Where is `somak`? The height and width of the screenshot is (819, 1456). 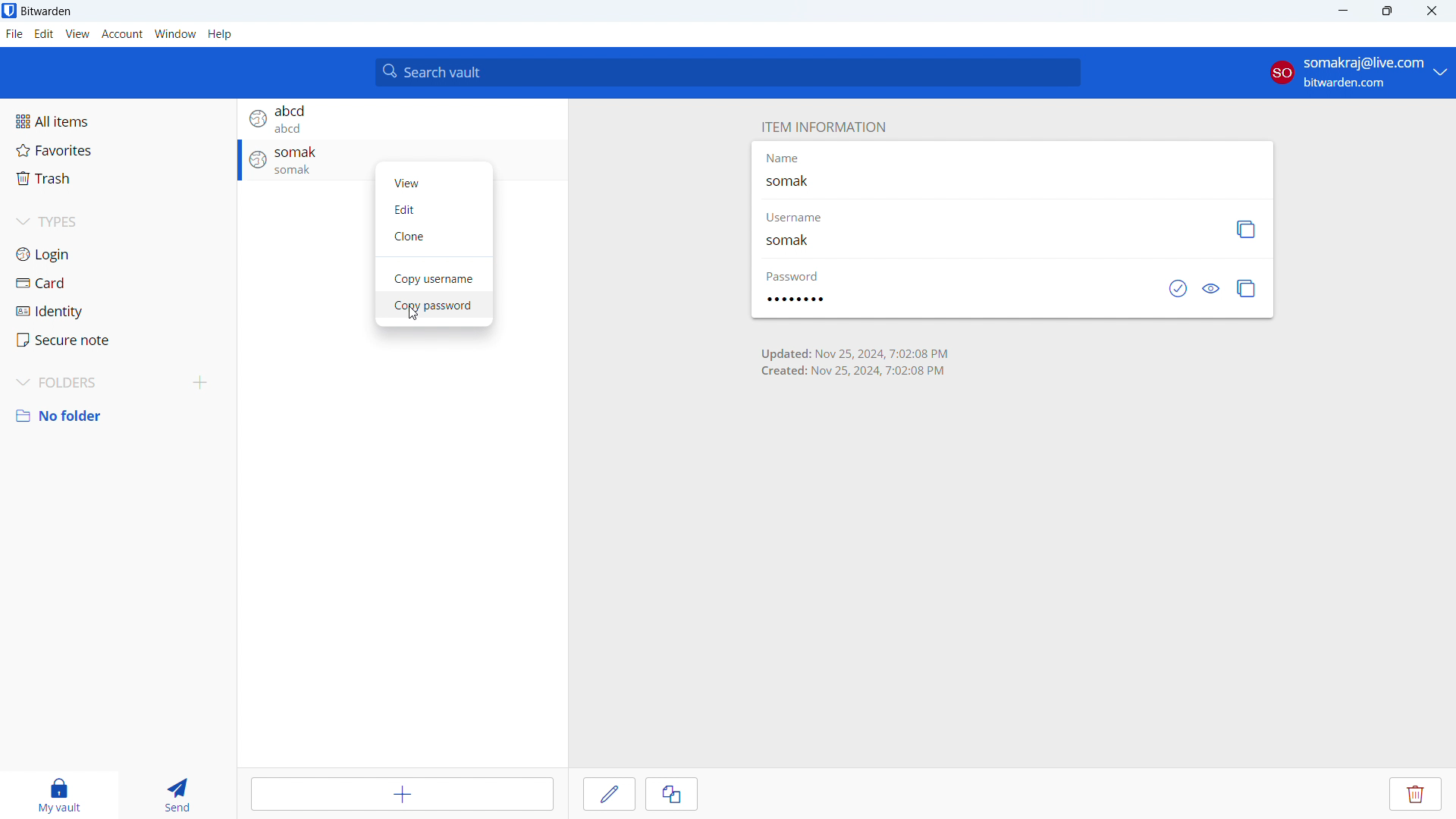 somak is located at coordinates (794, 184).